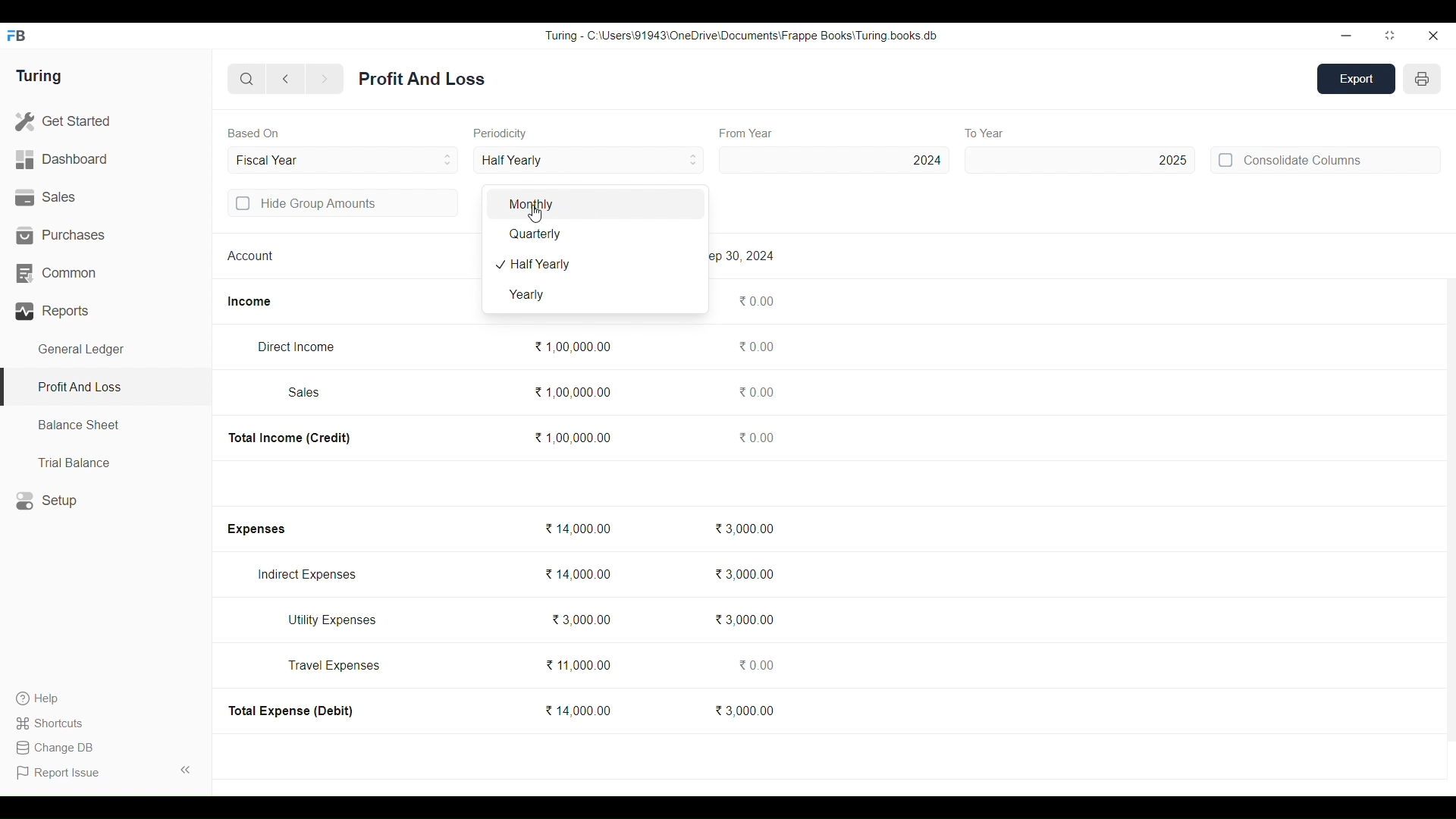 This screenshot has width=1456, height=819. What do you see at coordinates (422, 79) in the screenshot?
I see `Profit And Loss` at bounding box center [422, 79].